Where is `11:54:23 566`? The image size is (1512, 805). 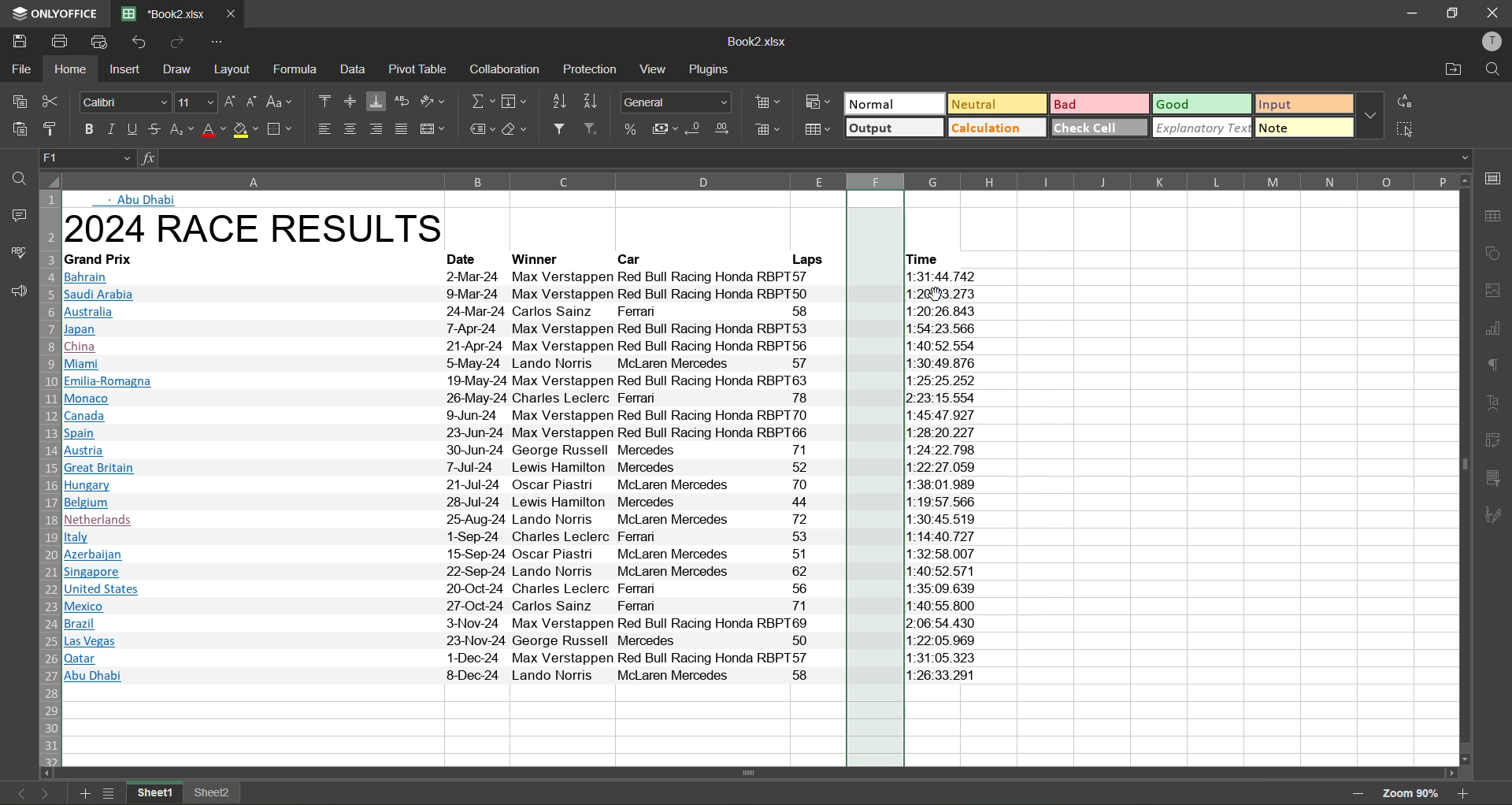
11:54:23 566 is located at coordinates (943, 329).